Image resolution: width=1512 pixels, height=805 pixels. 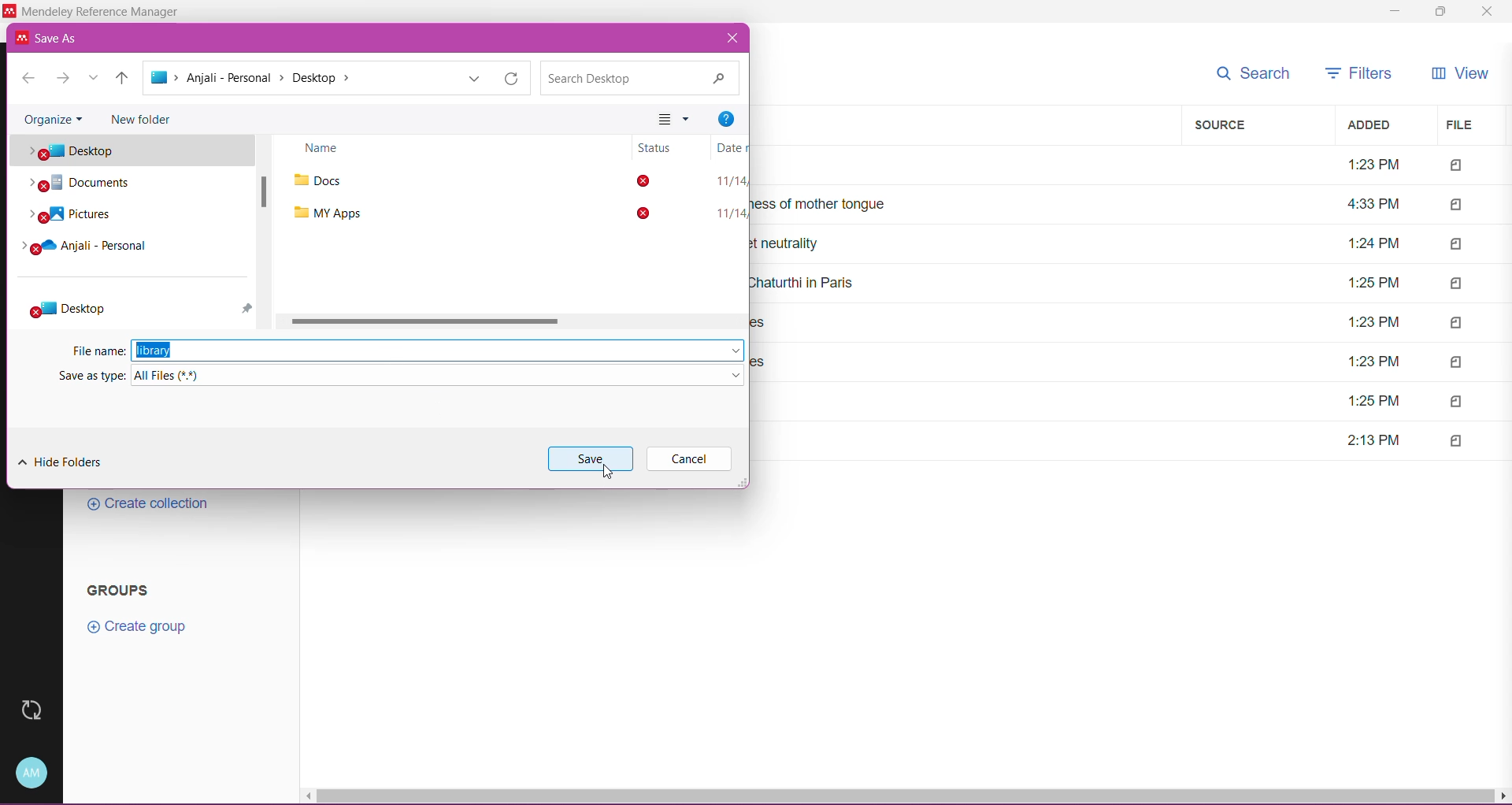 What do you see at coordinates (54, 37) in the screenshot?
I see `Save As` at bounding box center [54, 37].